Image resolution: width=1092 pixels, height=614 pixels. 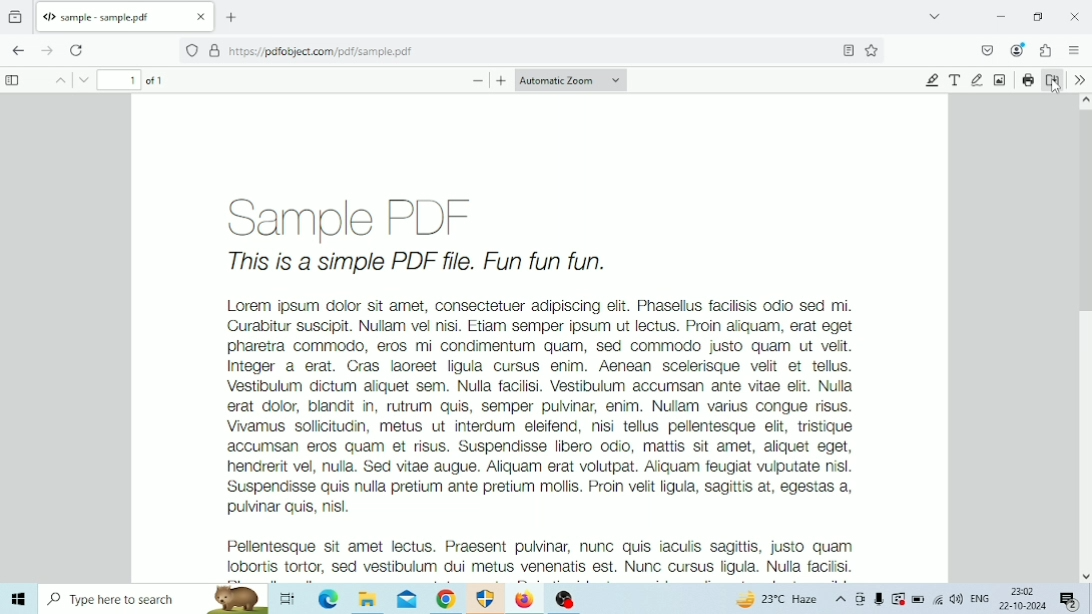 I want to click on Save, so click(x=1053, y=80).